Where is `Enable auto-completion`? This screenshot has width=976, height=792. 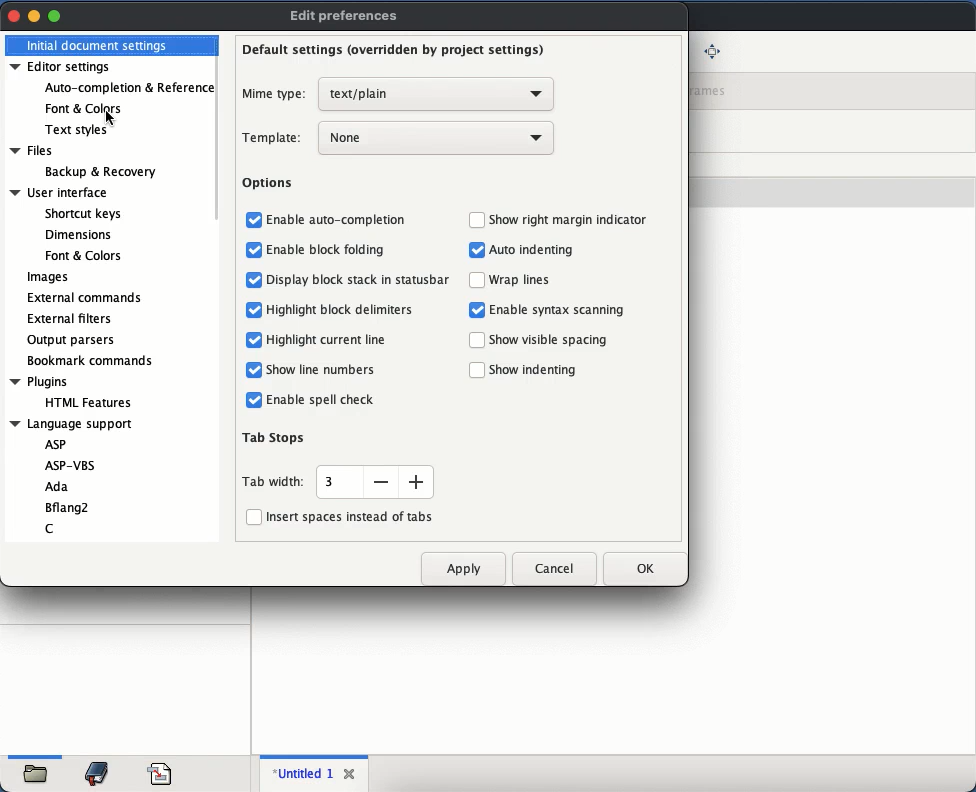
Enable auto-completion is located at coordinates (340, 221).